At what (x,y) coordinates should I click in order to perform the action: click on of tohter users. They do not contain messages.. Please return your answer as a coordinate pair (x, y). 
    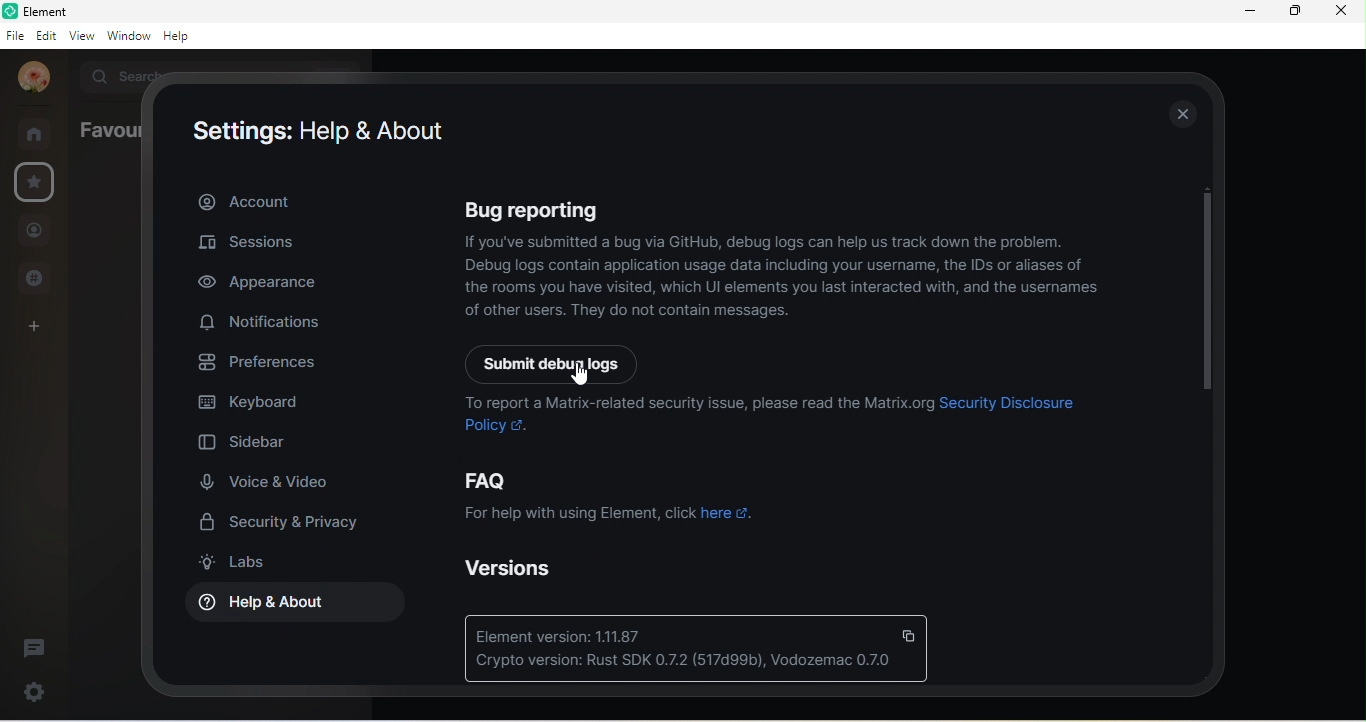
    Looking at the image, I should click on (626, 313).